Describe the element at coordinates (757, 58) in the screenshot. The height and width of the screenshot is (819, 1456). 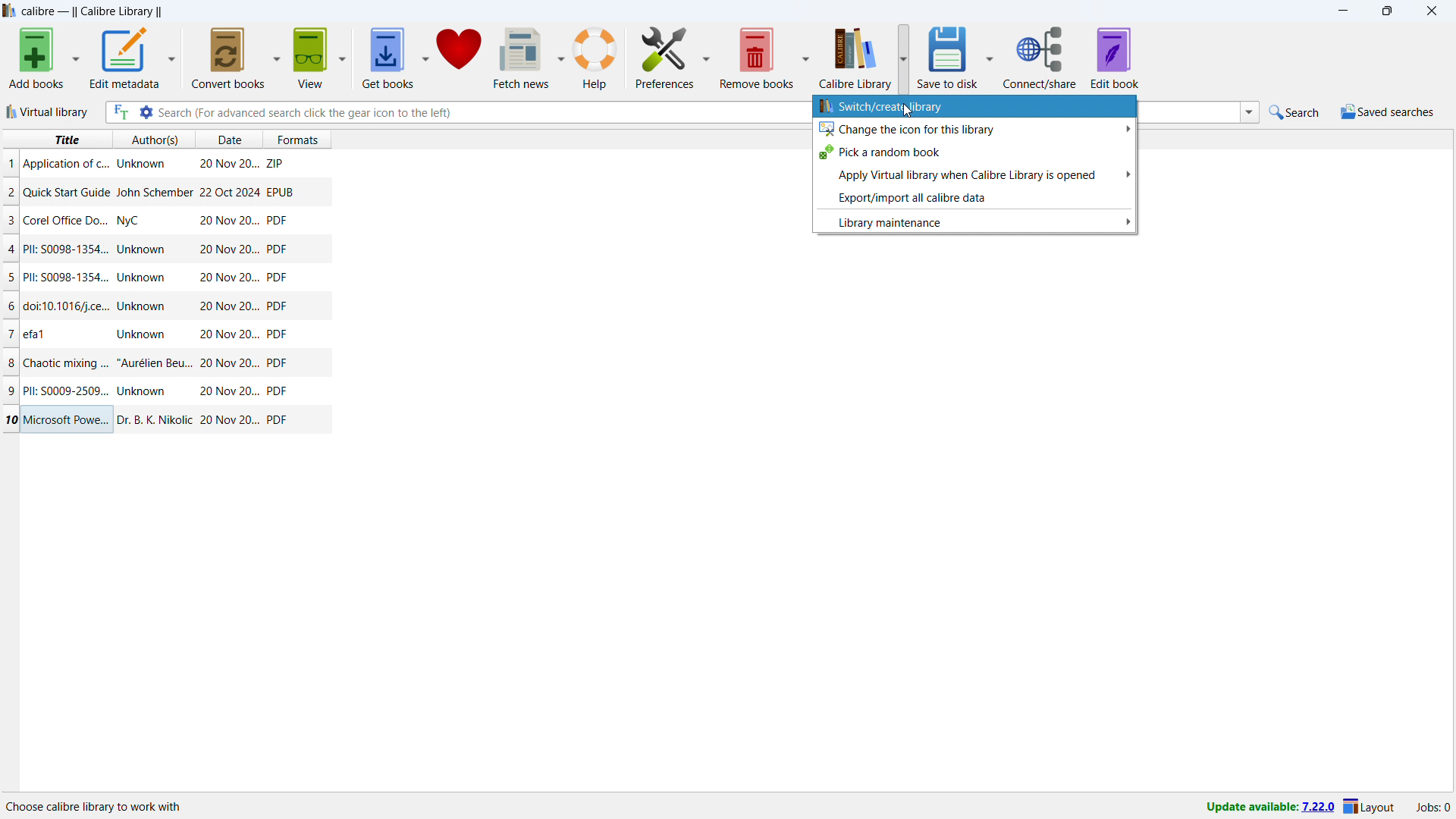
I see `remove books` at that location.